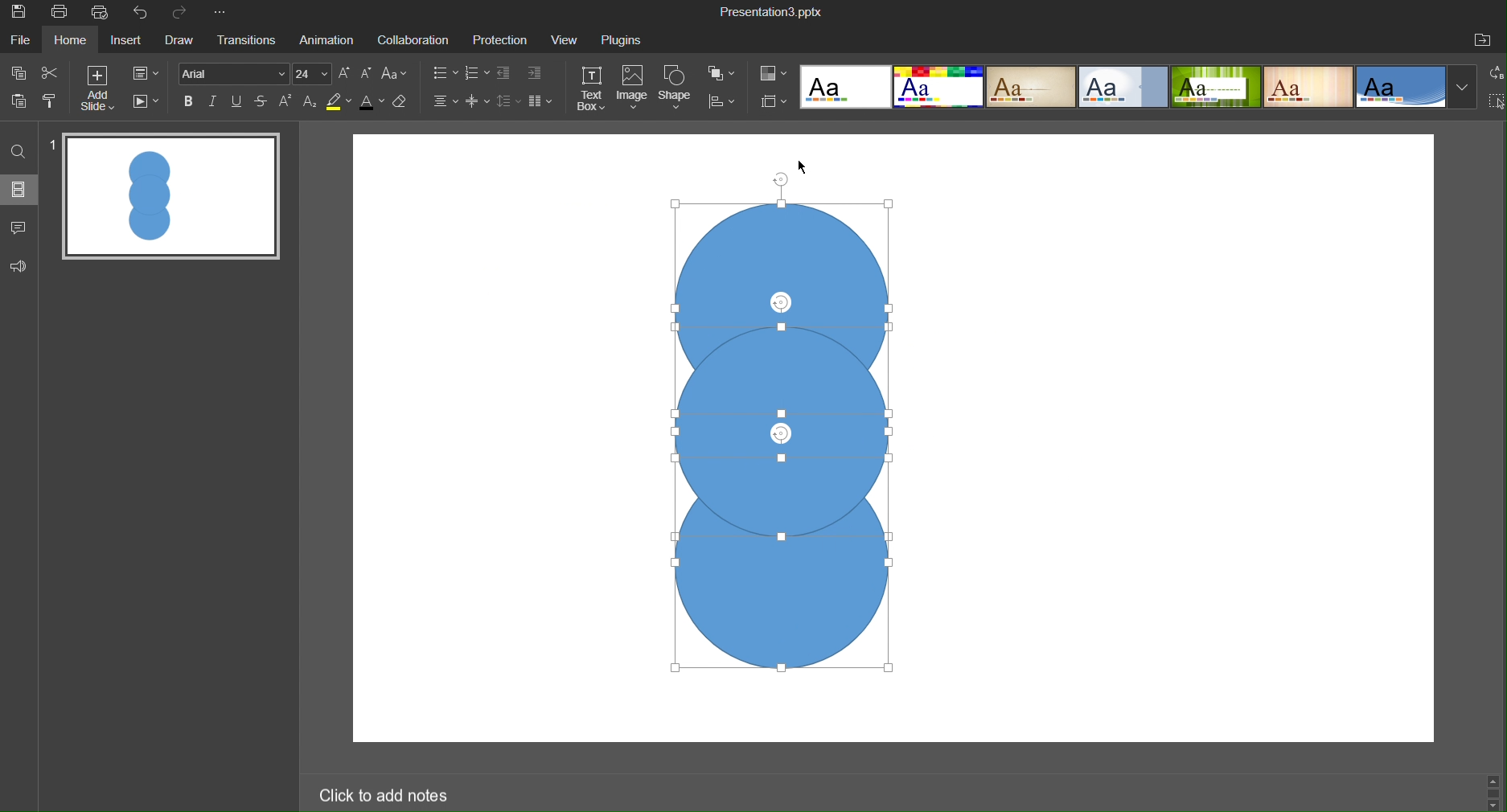  What do you see at coordinates (142, 12) in the screenshot?
I see `Undo` at bounding box center [142, 12].